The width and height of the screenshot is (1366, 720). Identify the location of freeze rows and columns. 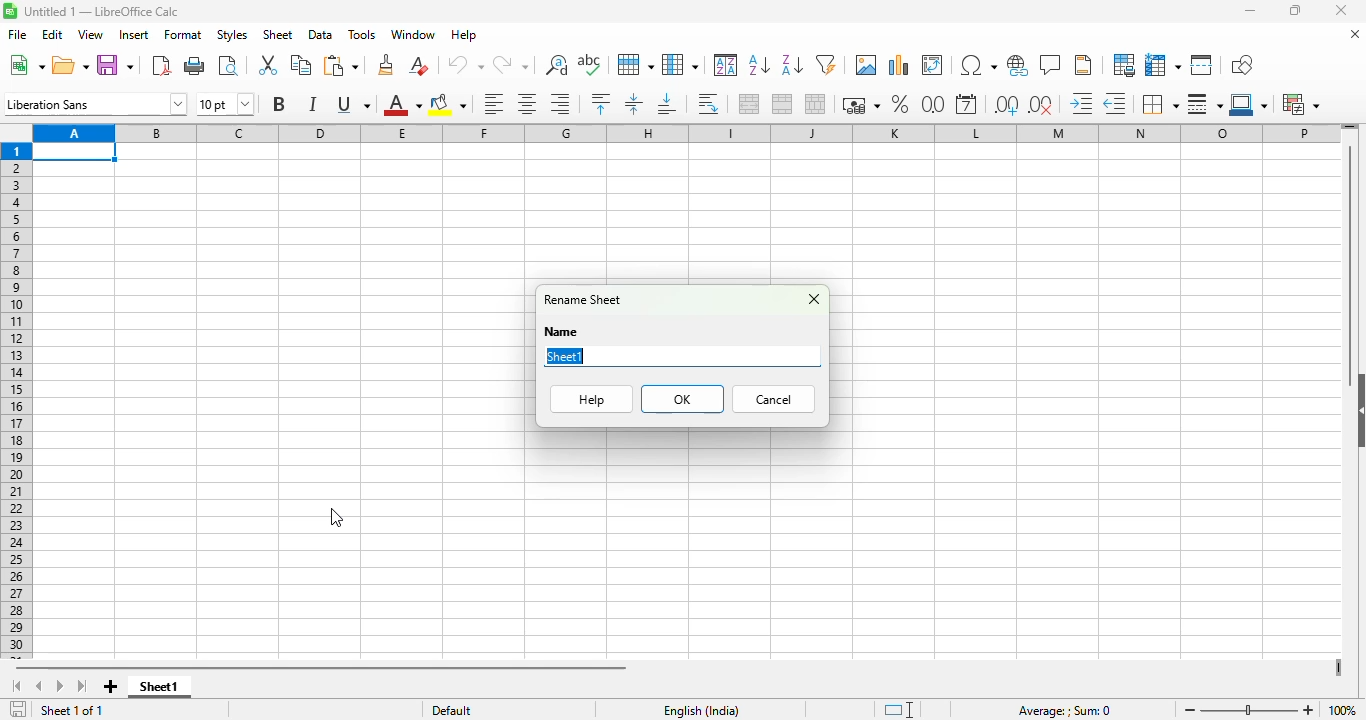
(1163, 64).